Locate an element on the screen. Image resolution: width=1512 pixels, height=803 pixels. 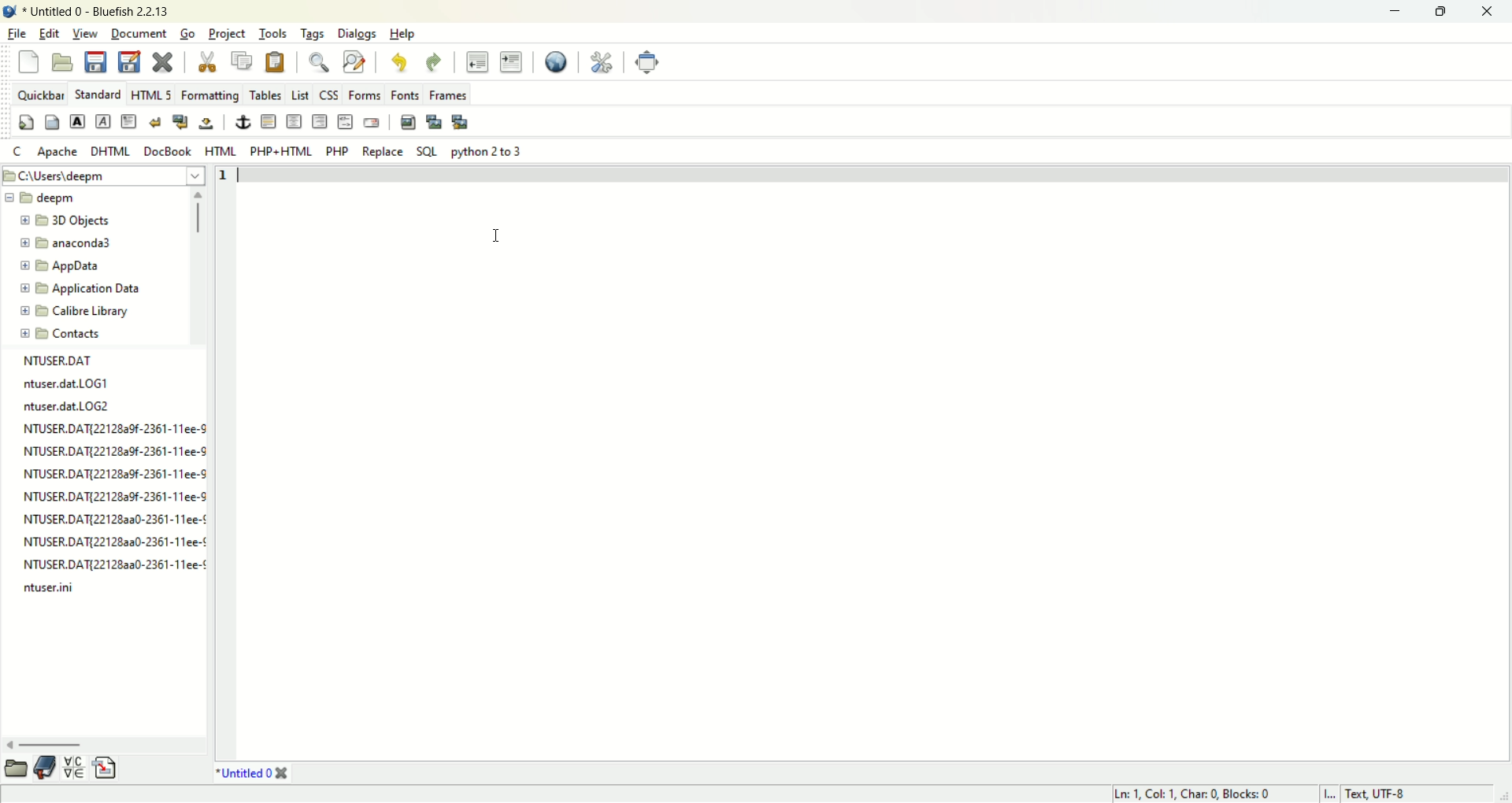
save as is located at coordinates (128, 61).